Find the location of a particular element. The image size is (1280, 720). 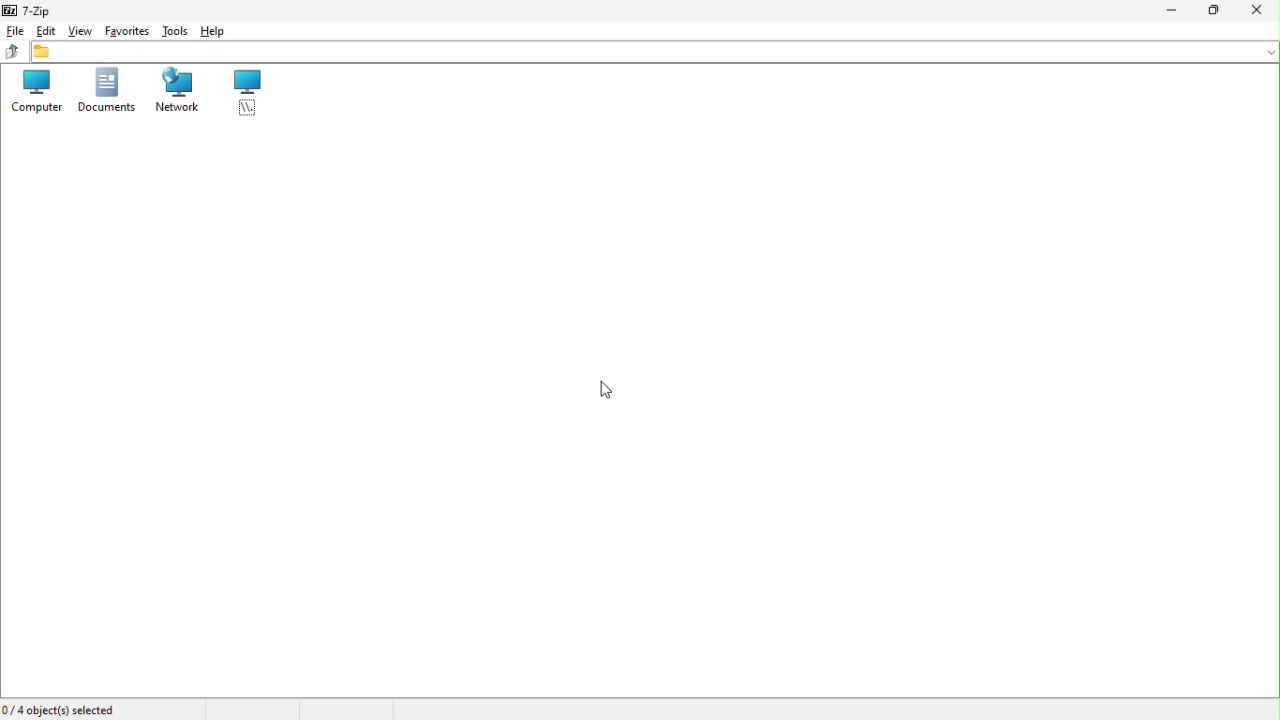

minimize is located at coordinates (1167, 11).